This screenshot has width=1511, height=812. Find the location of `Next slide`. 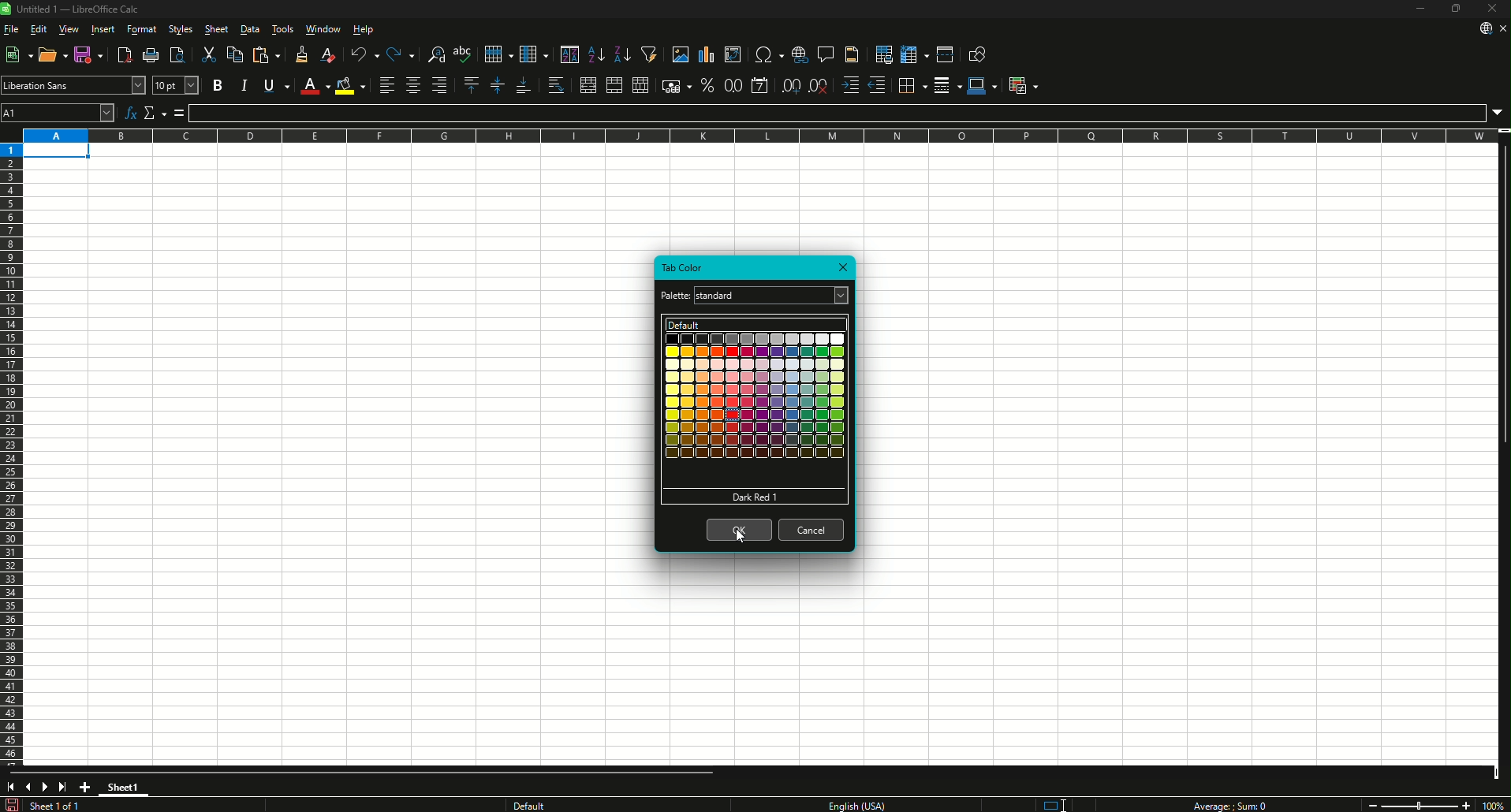

Next slide is located at coordinates (43, 787).